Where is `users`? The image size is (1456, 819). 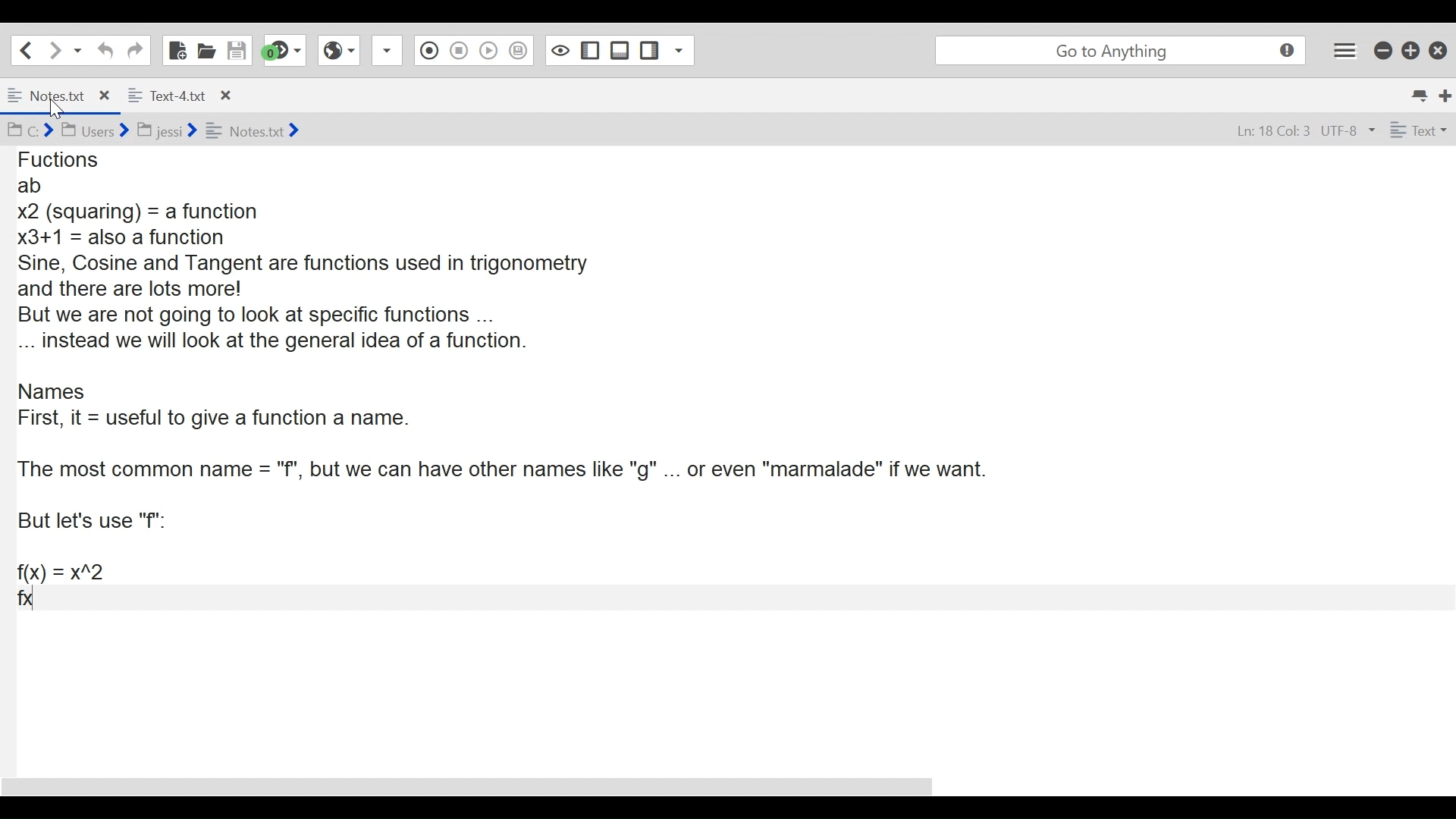
users is located at coordinates (94, 130).